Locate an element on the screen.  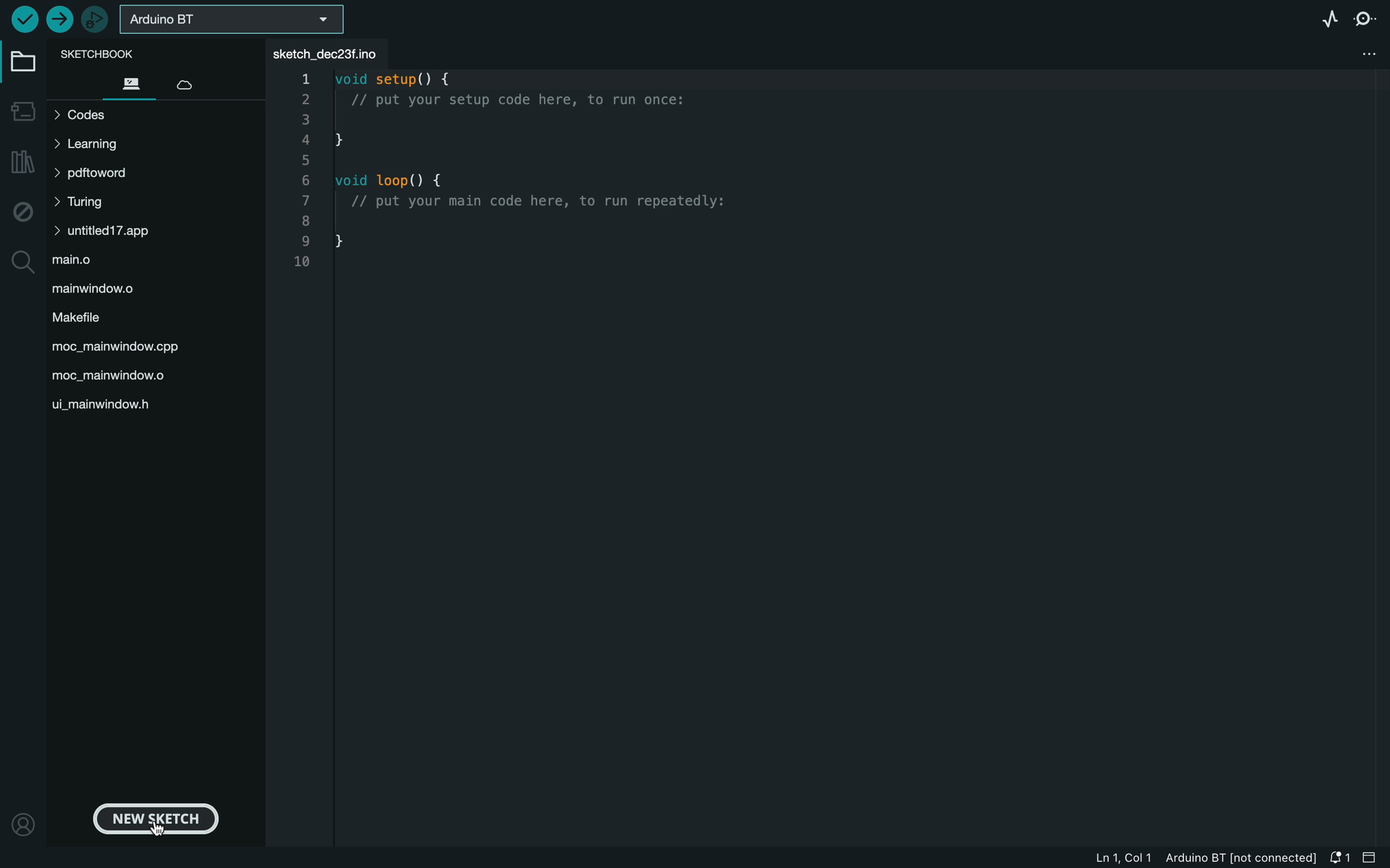
clouds is located at coordinates (187, 86).